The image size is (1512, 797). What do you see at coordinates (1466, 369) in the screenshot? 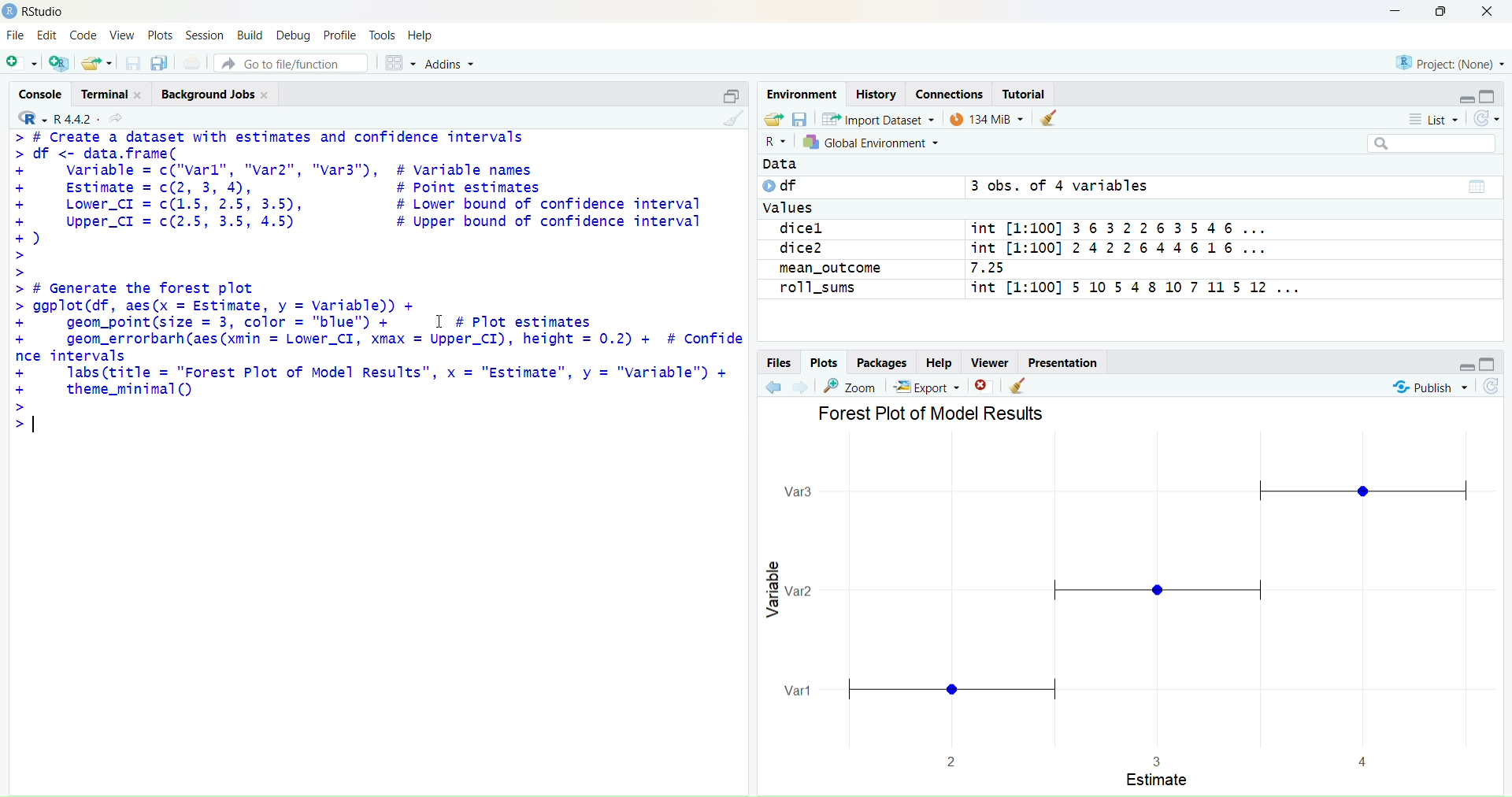
I see `minimize` at bounding box center [1466, 369].